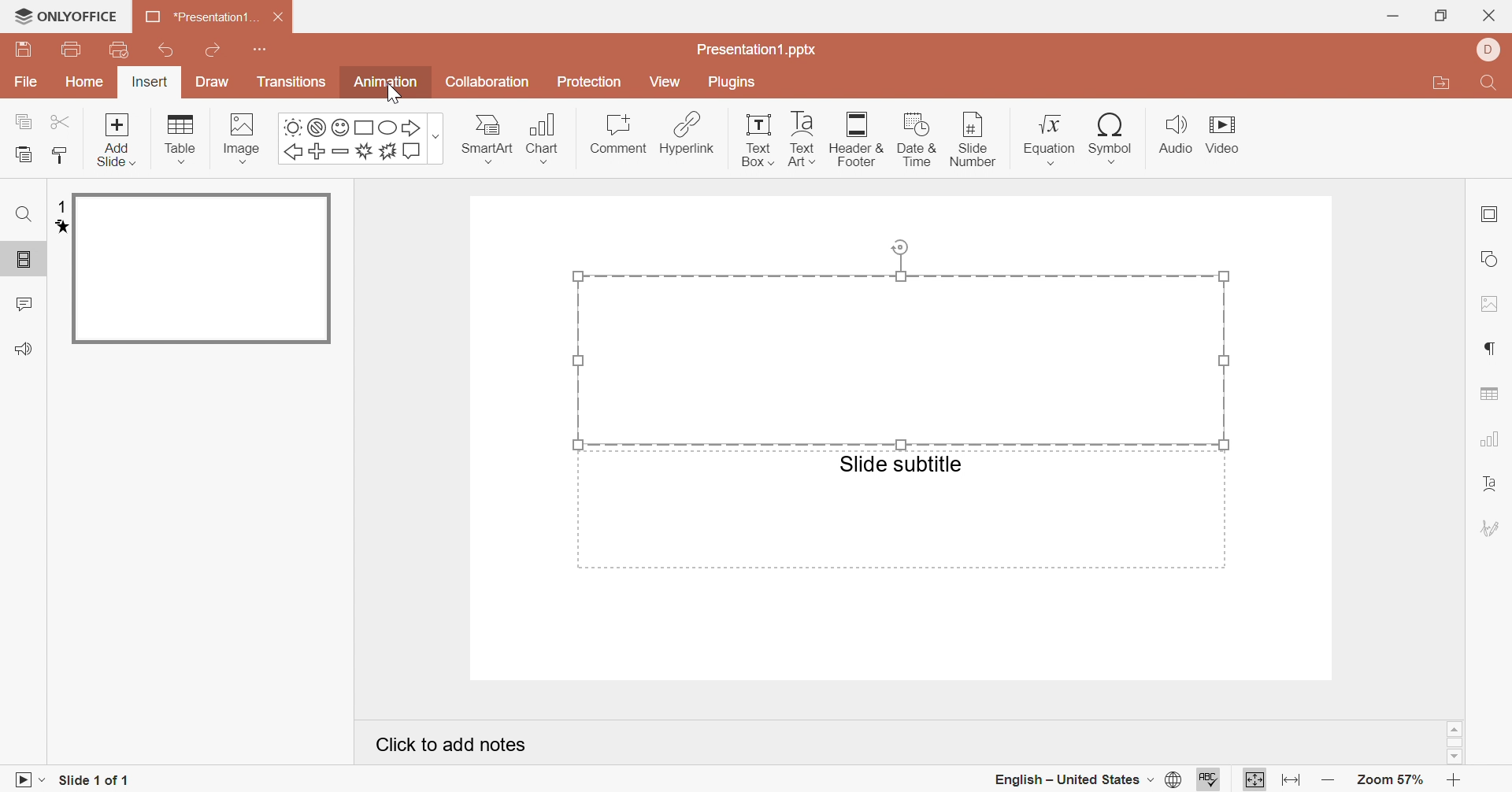 The width and height of the screenshot is (1512, 792). I want to click on slide 1 of 1, so click(95, 781).